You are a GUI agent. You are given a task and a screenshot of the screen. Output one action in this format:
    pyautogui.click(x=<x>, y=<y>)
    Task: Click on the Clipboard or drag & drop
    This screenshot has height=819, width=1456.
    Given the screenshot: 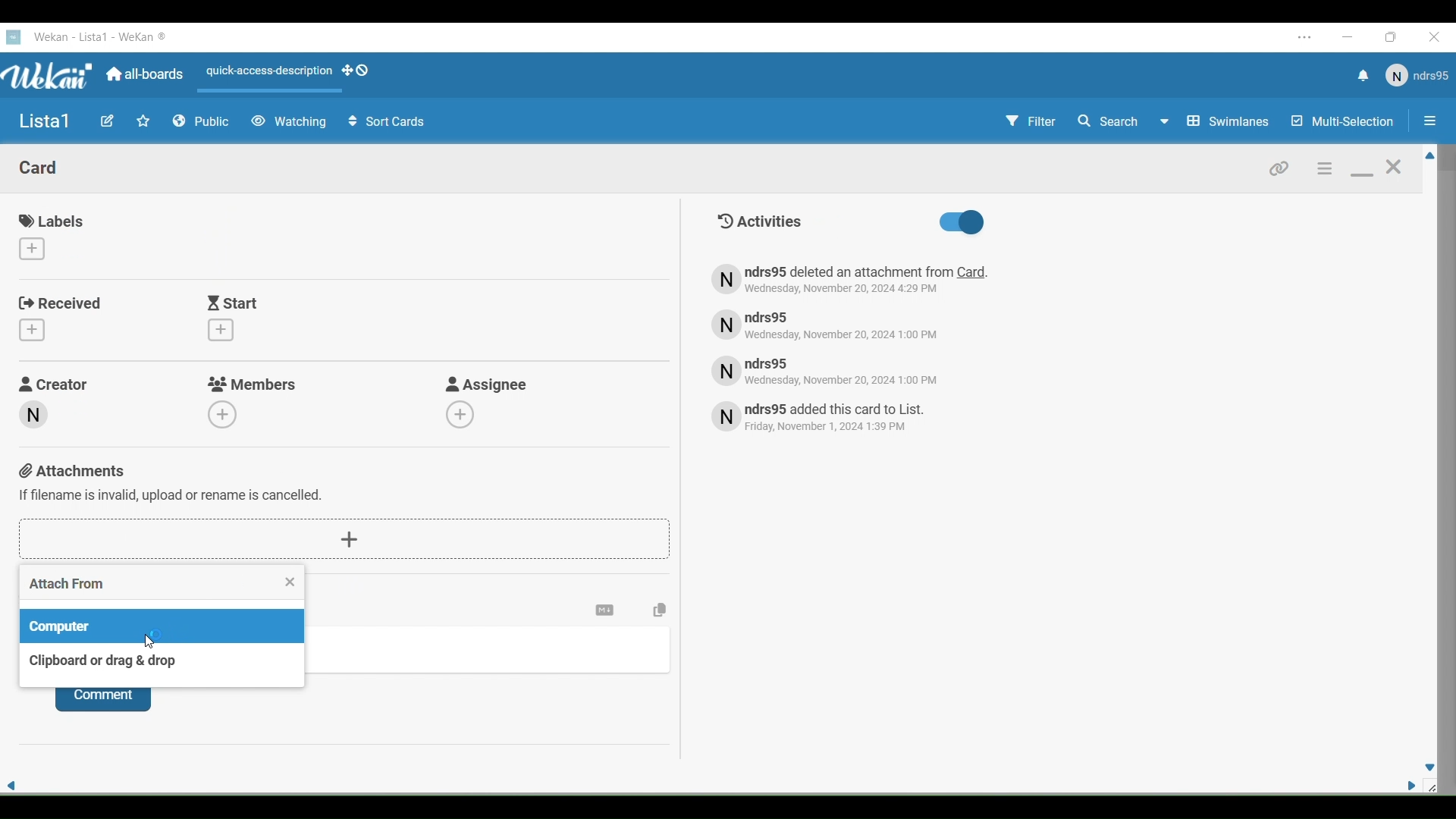 What is the action you would take?
    pyautogui.click(x=162, y=666)
    